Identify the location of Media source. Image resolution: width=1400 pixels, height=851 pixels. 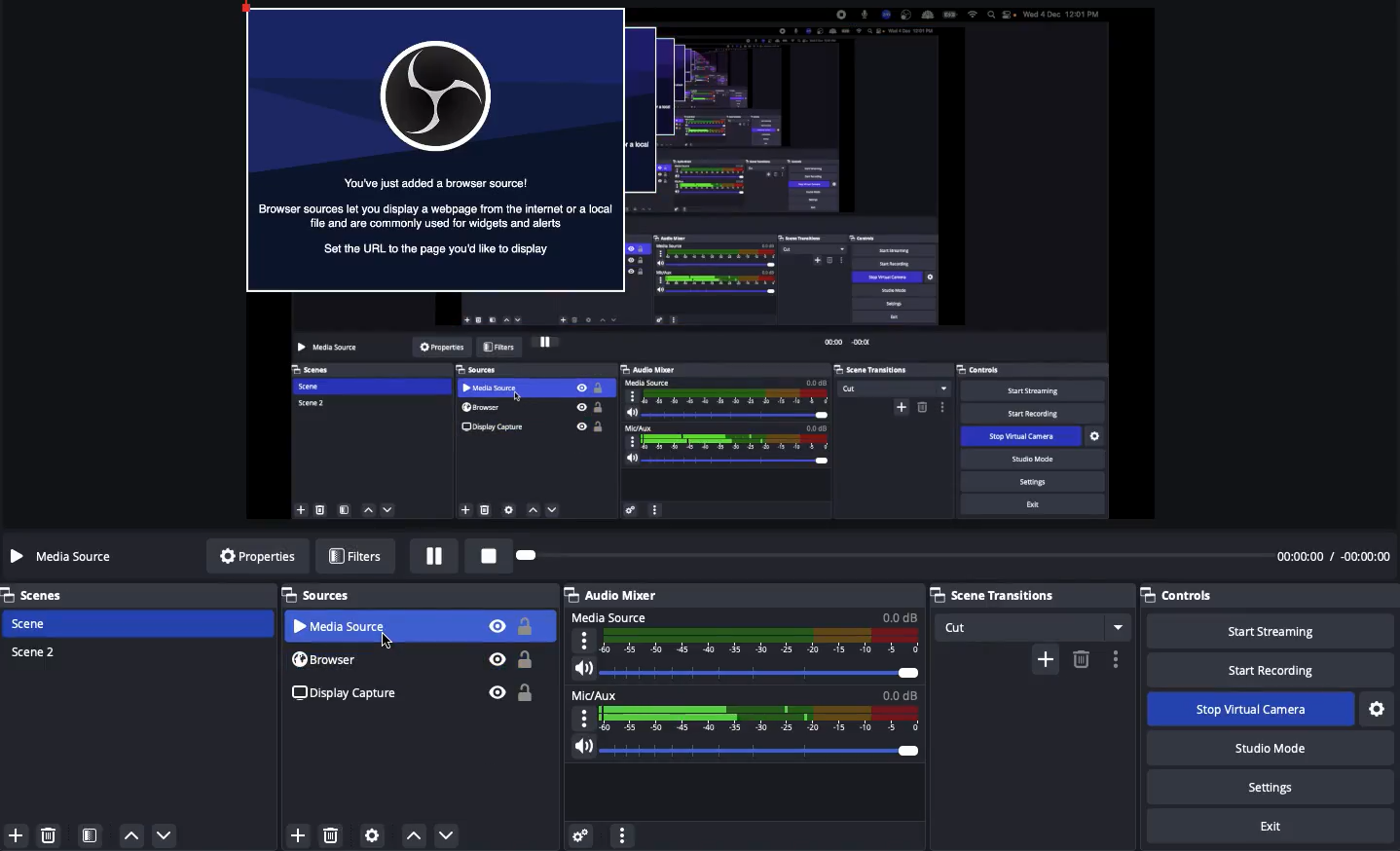
(744, 629).